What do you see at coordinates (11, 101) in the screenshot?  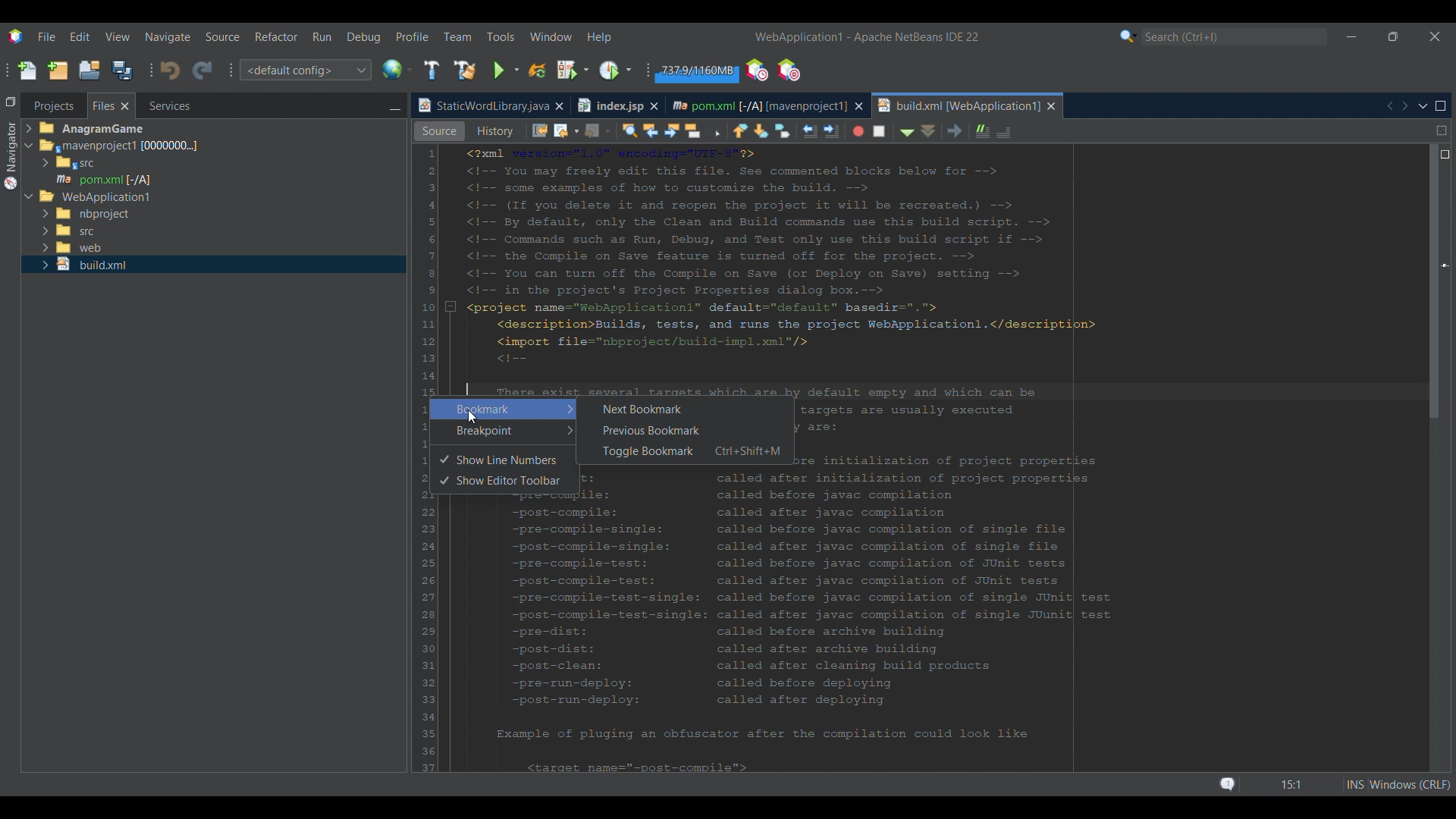 I see `Restore window group` at bounding box center [11, 101].